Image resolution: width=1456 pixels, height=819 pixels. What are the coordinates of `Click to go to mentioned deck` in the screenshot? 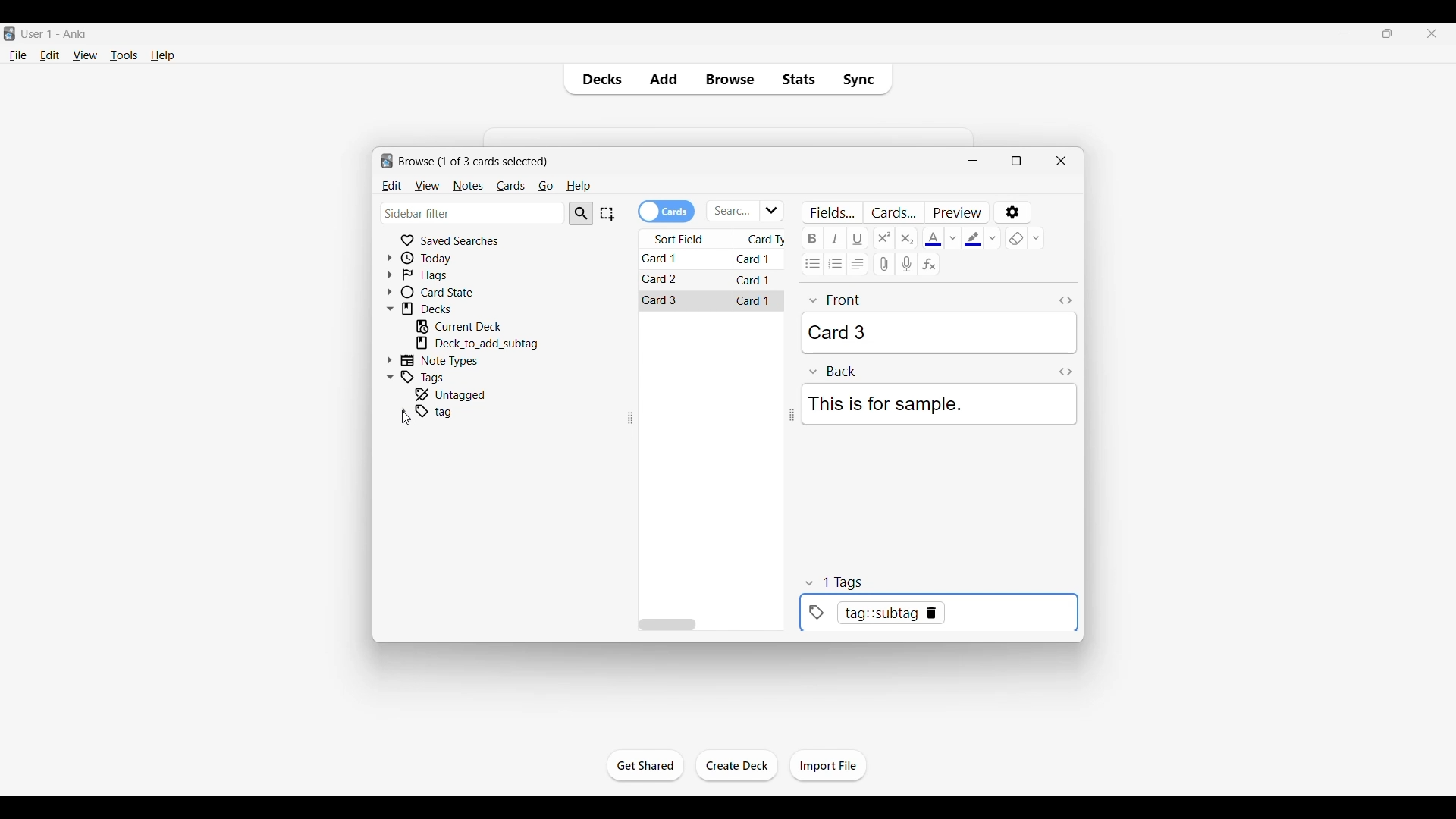 It's located at (476, 344).